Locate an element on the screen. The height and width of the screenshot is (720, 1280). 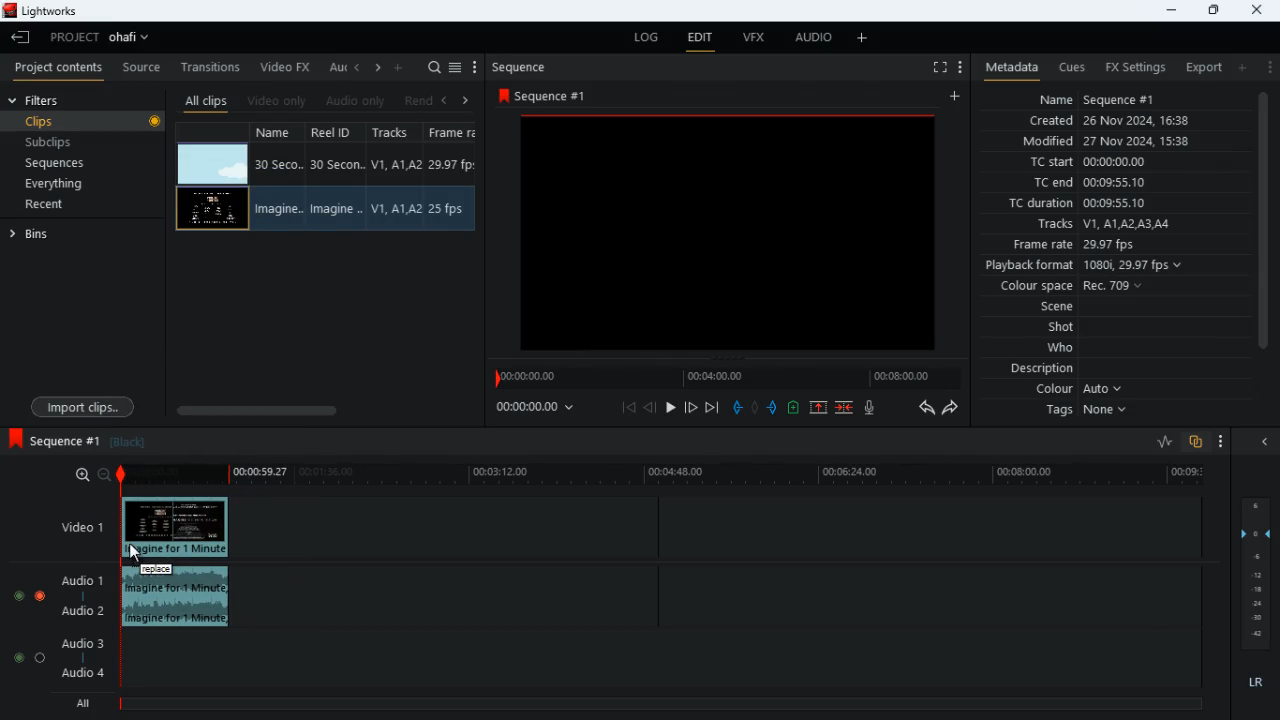
tracks is located at coordinates (1098, 225).